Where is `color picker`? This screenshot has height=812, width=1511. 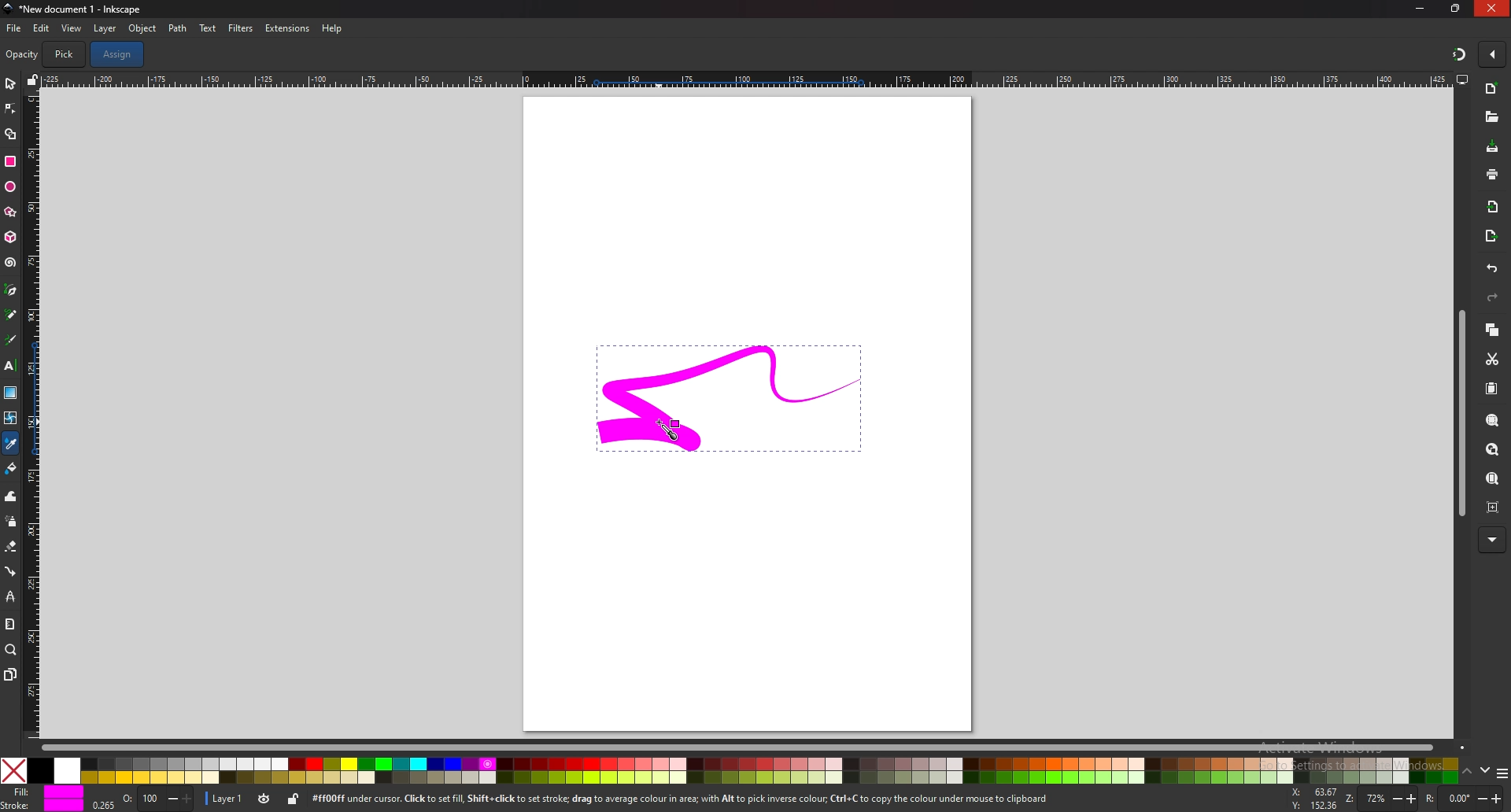 color picker is located at coordinates (13, 444).